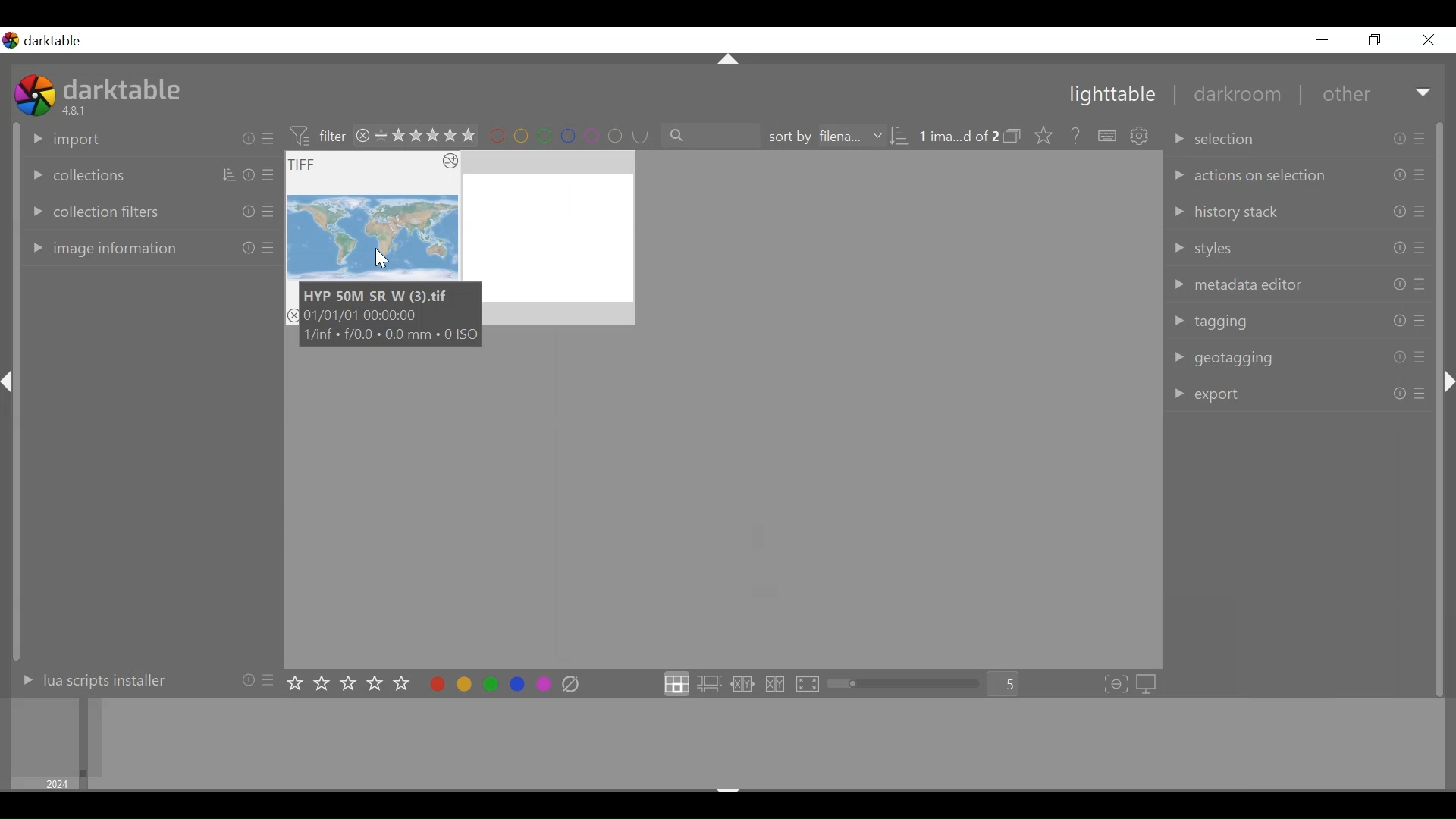  Describe the element at coordinates (124, 139) in the screenshot. I see `Import` at that location.